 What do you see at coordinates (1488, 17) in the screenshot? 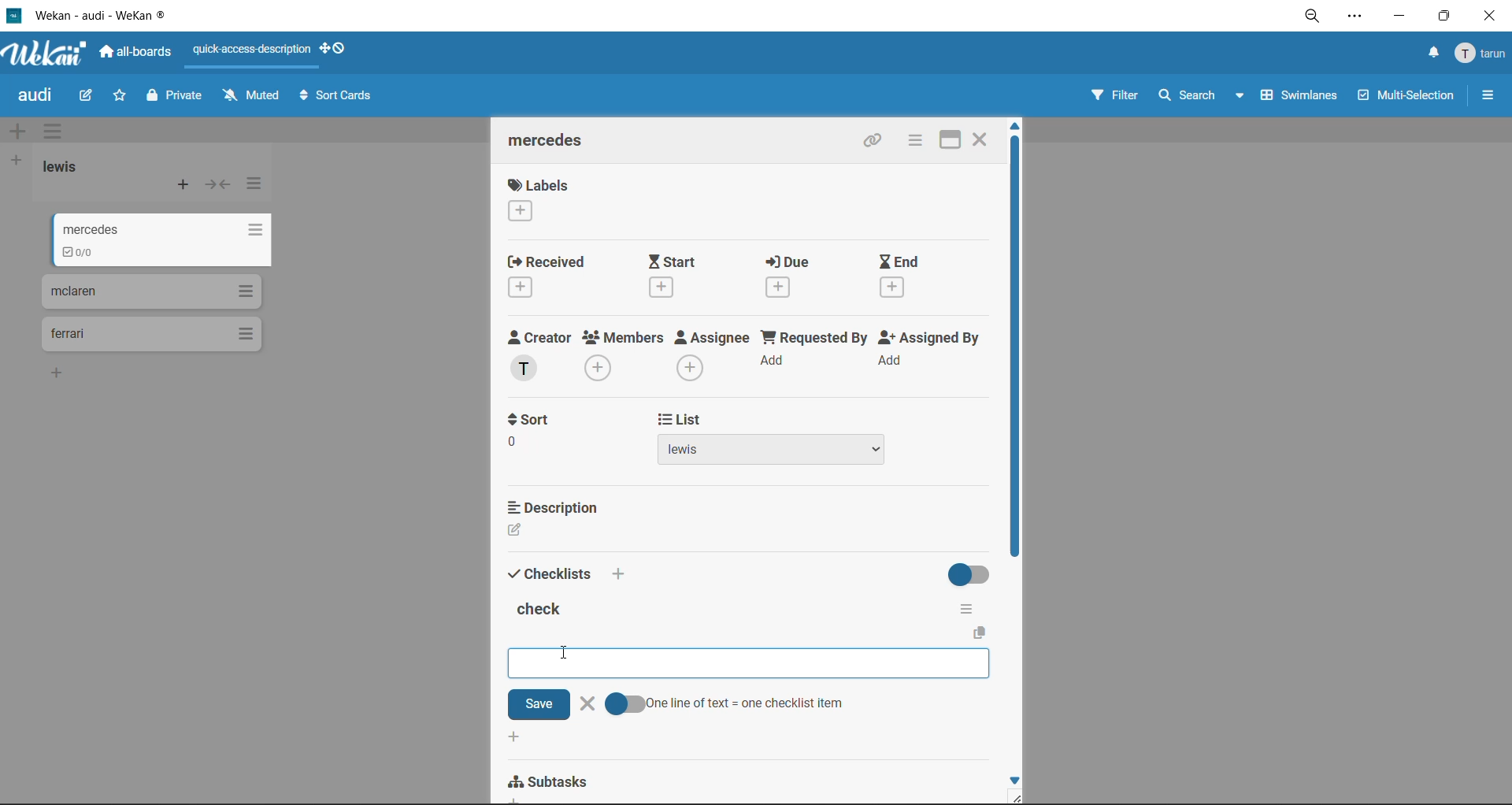
I see `close` at bounding box center [1488, 17].